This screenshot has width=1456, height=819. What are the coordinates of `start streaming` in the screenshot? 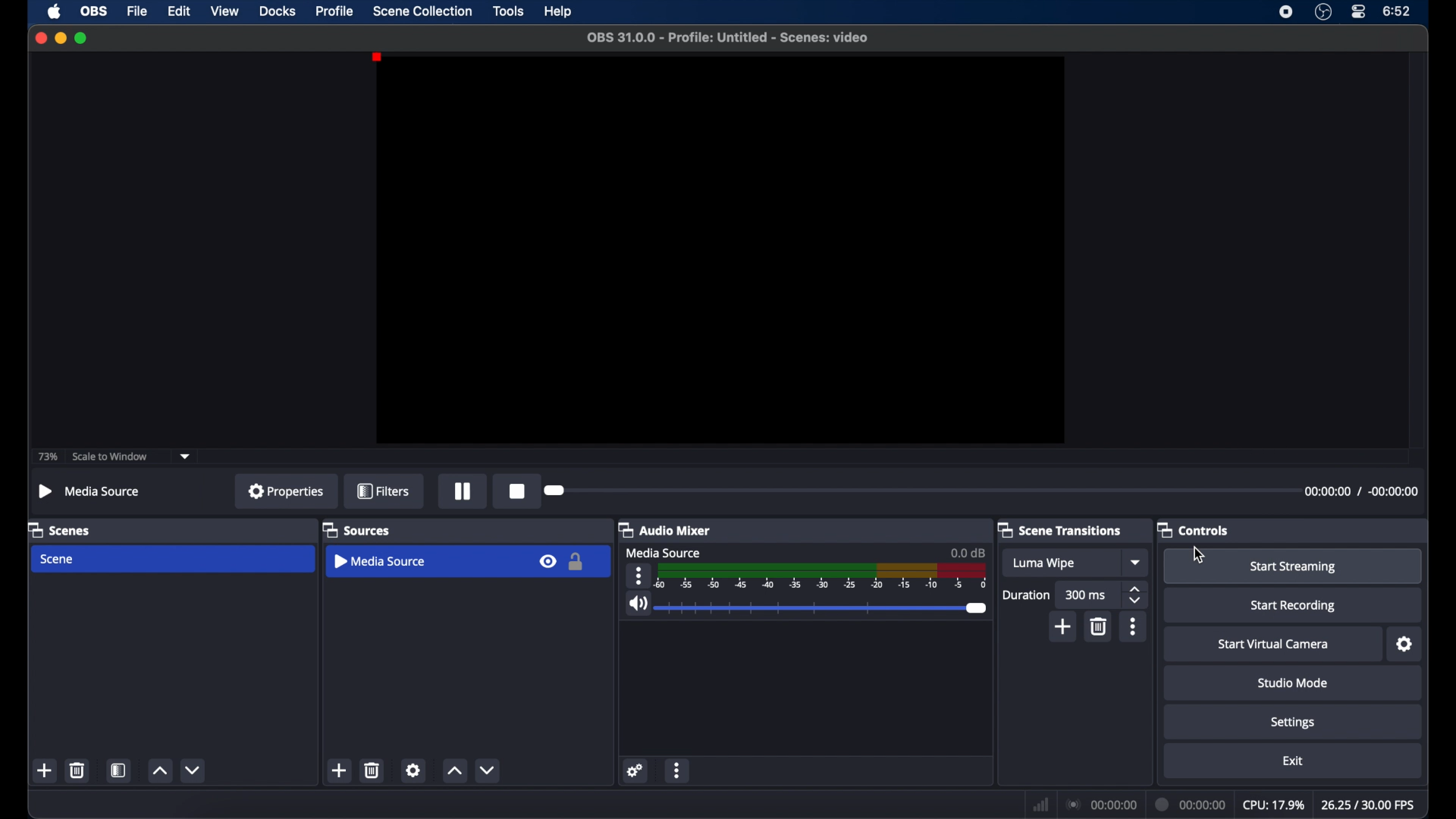 It's located at (1294, 567).